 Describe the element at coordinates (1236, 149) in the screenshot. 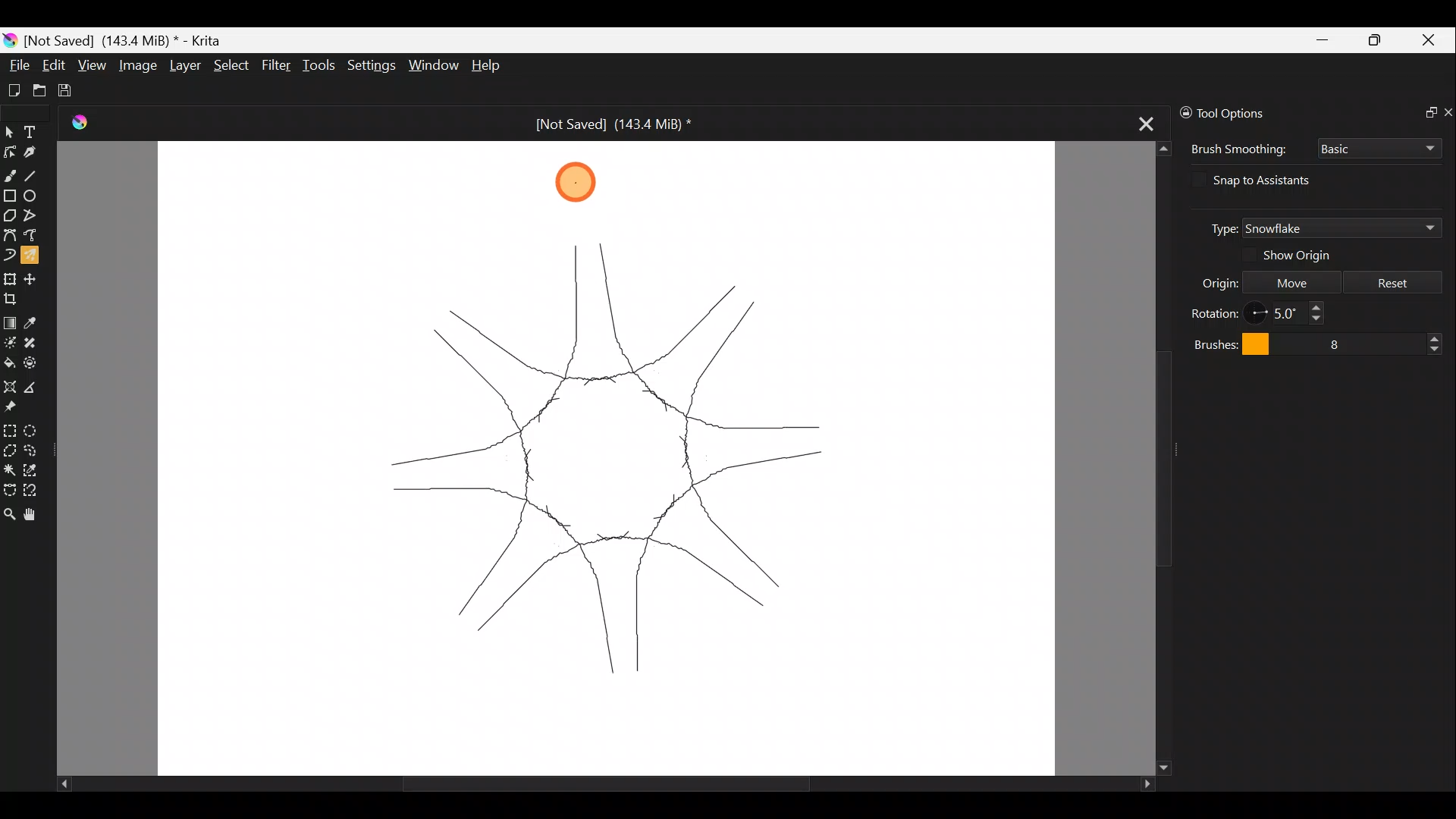

I see `Brush smoothing` at that location.